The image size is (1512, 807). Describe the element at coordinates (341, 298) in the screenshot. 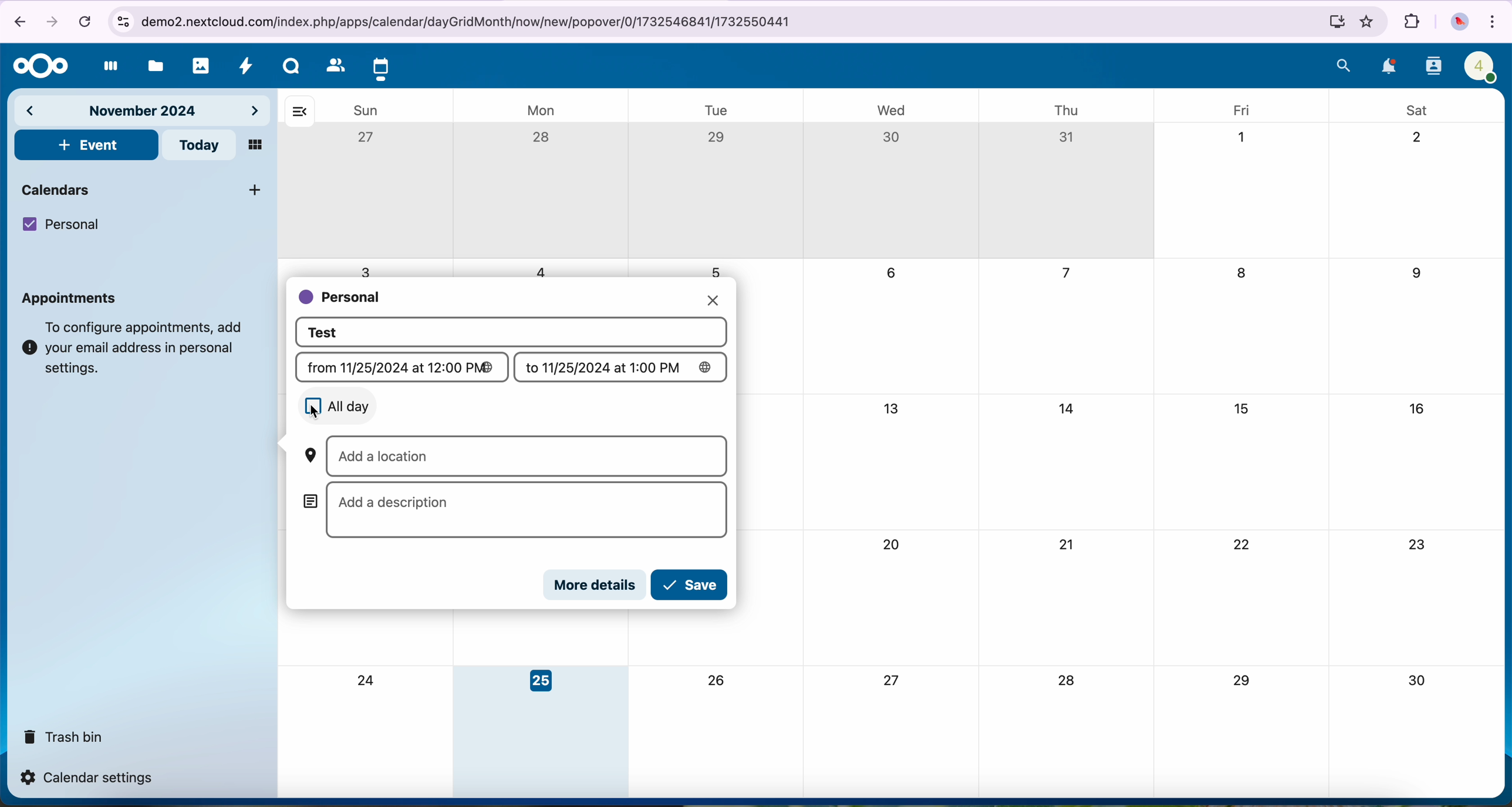

I see `personal` at that location.